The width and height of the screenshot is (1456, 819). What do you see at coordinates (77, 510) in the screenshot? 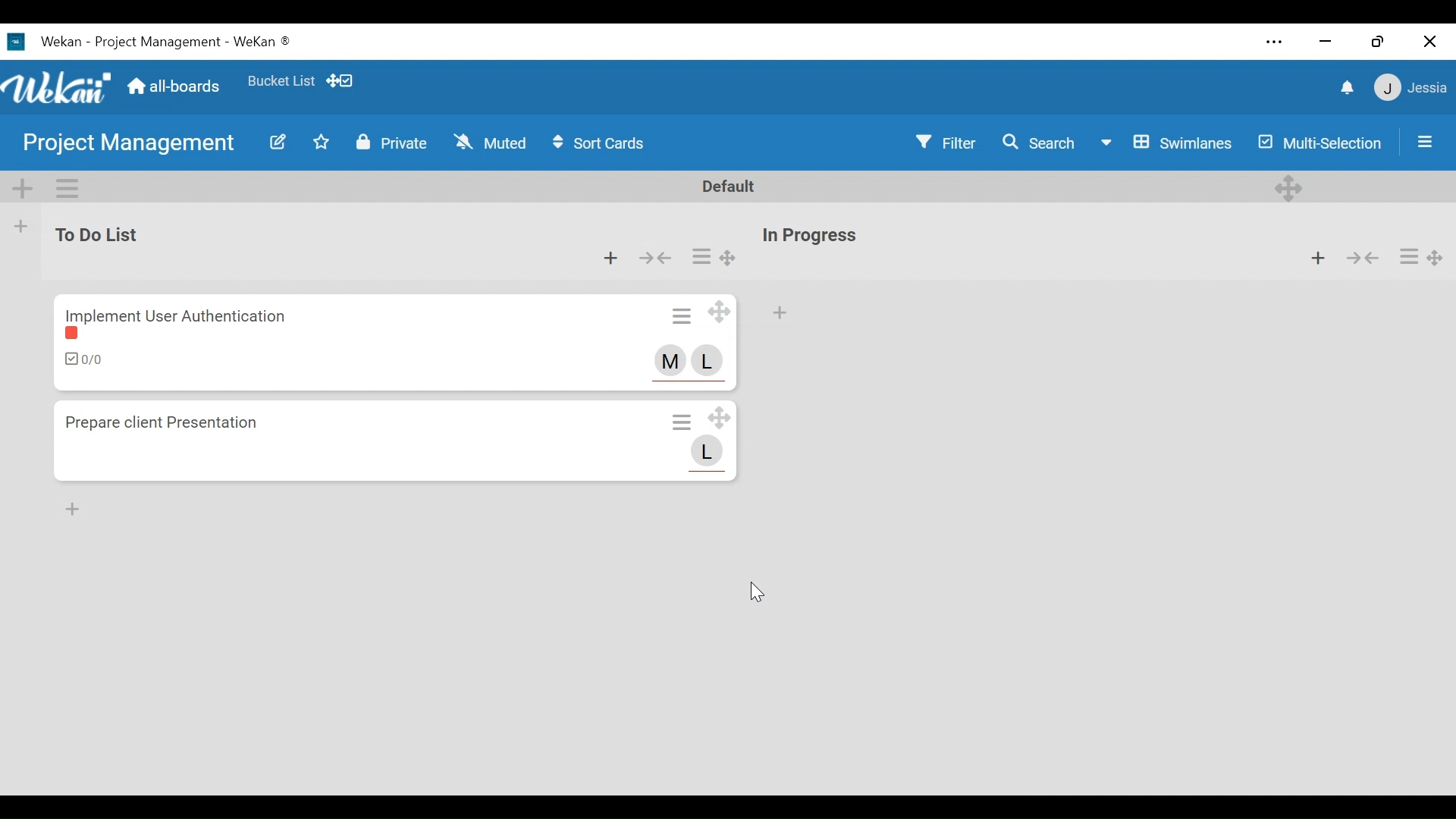
I see `add` at bounding box center [77, 510].